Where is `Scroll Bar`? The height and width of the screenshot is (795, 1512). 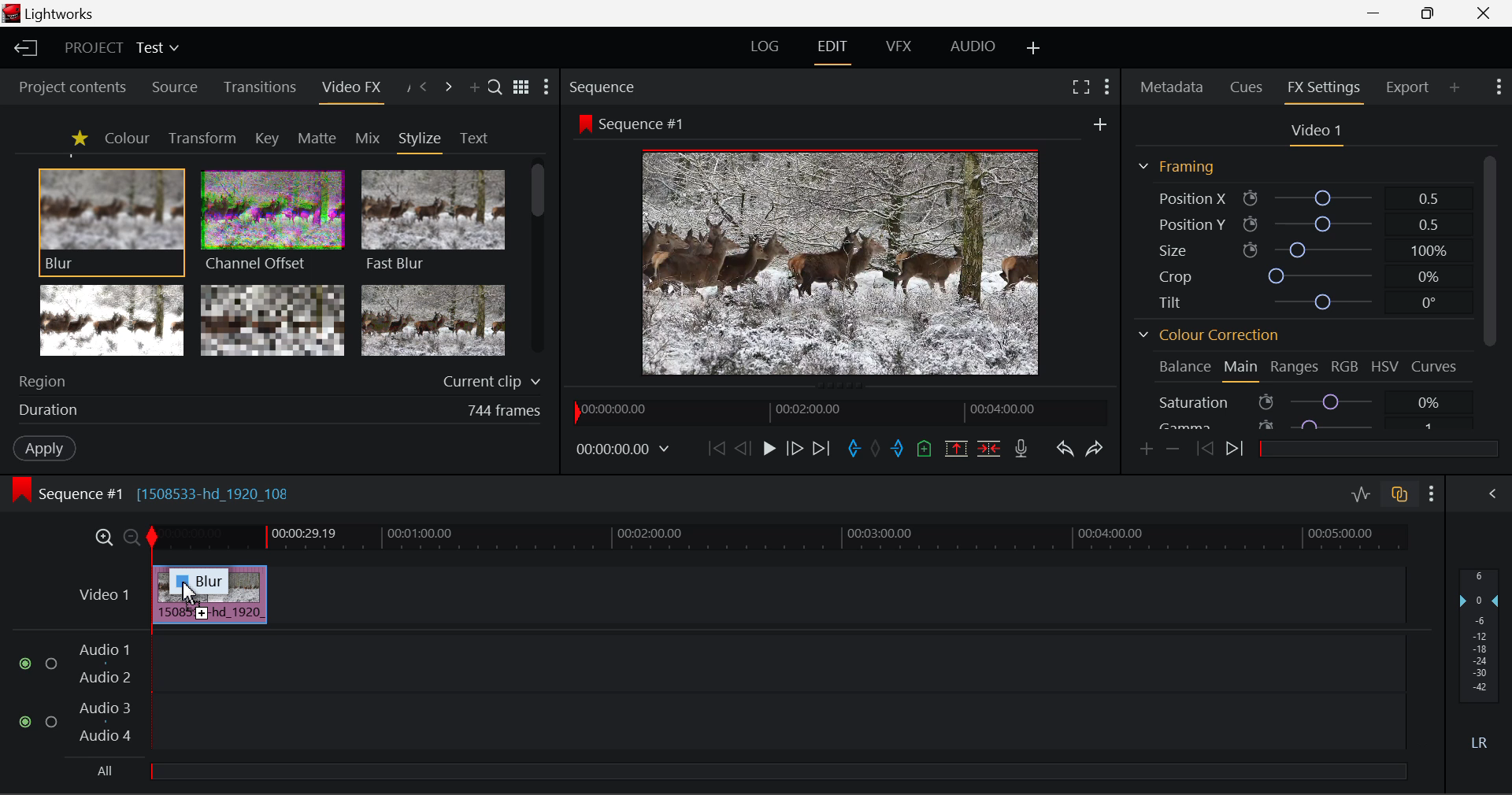
Scroll Bar is located at coordinates (540, 262).